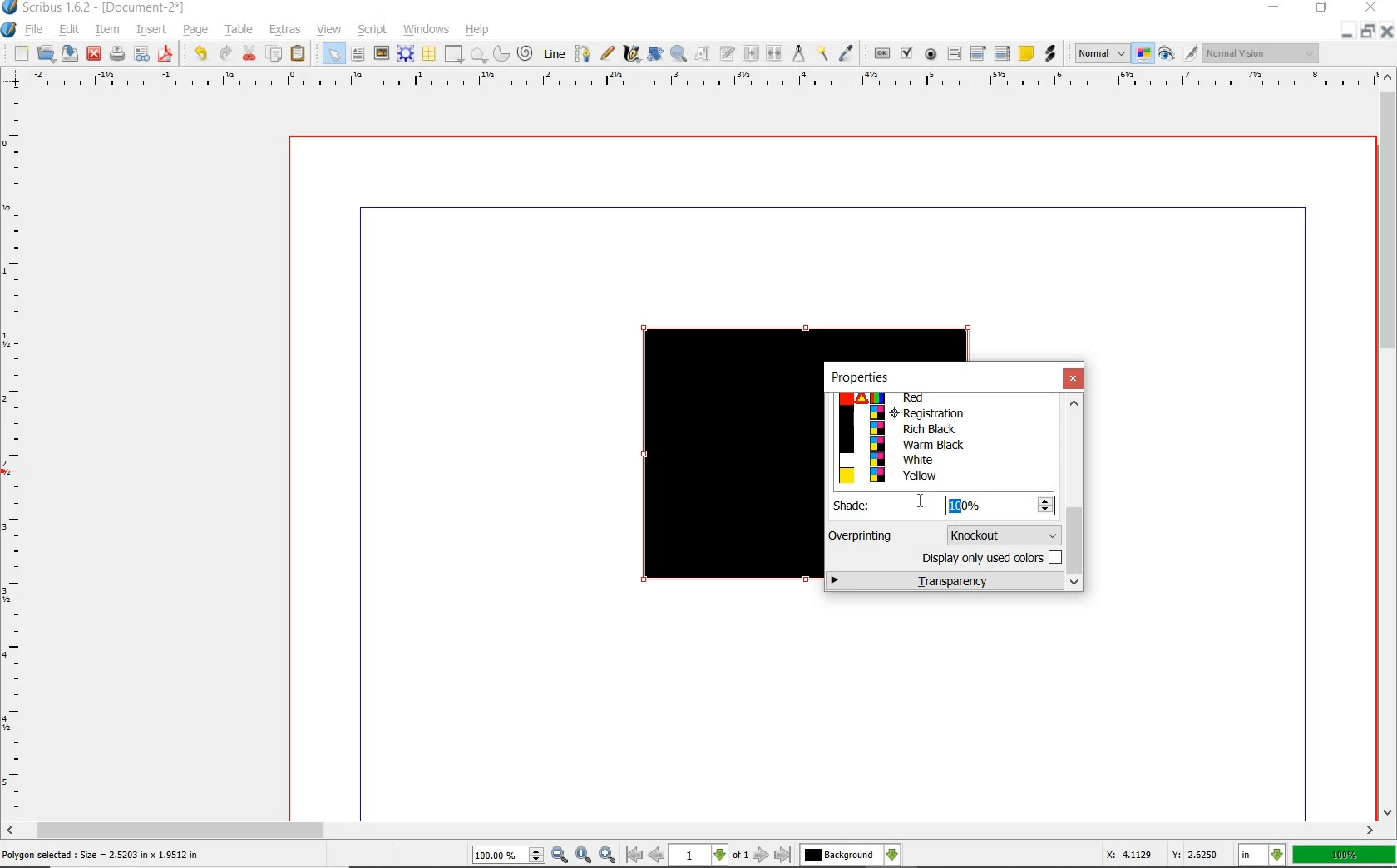 Image resolution: width=1397 pixels, height=868 pixels. I want to click on copy, so click(276, 52).